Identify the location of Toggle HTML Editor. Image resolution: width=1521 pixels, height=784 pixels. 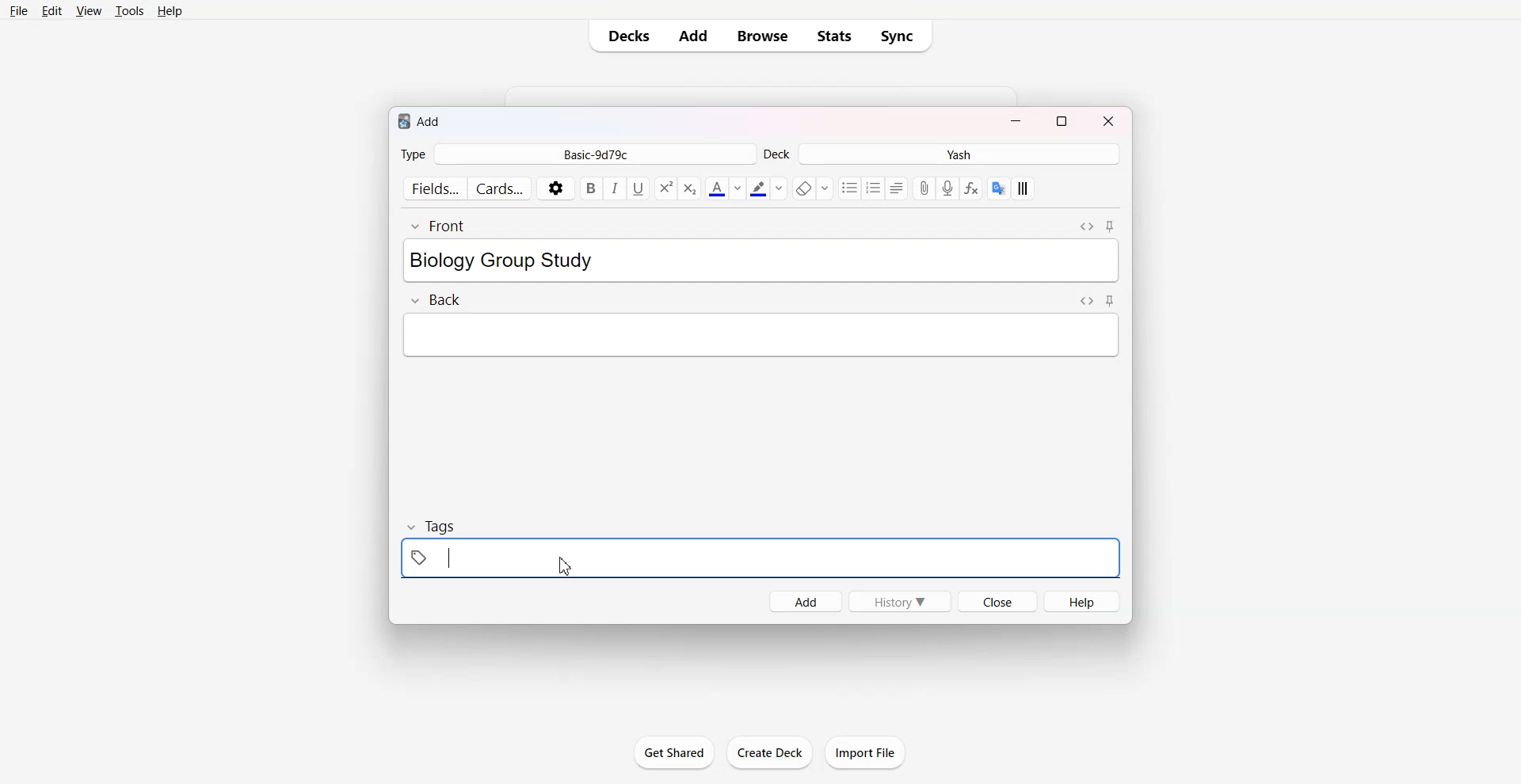
(1086, 301).